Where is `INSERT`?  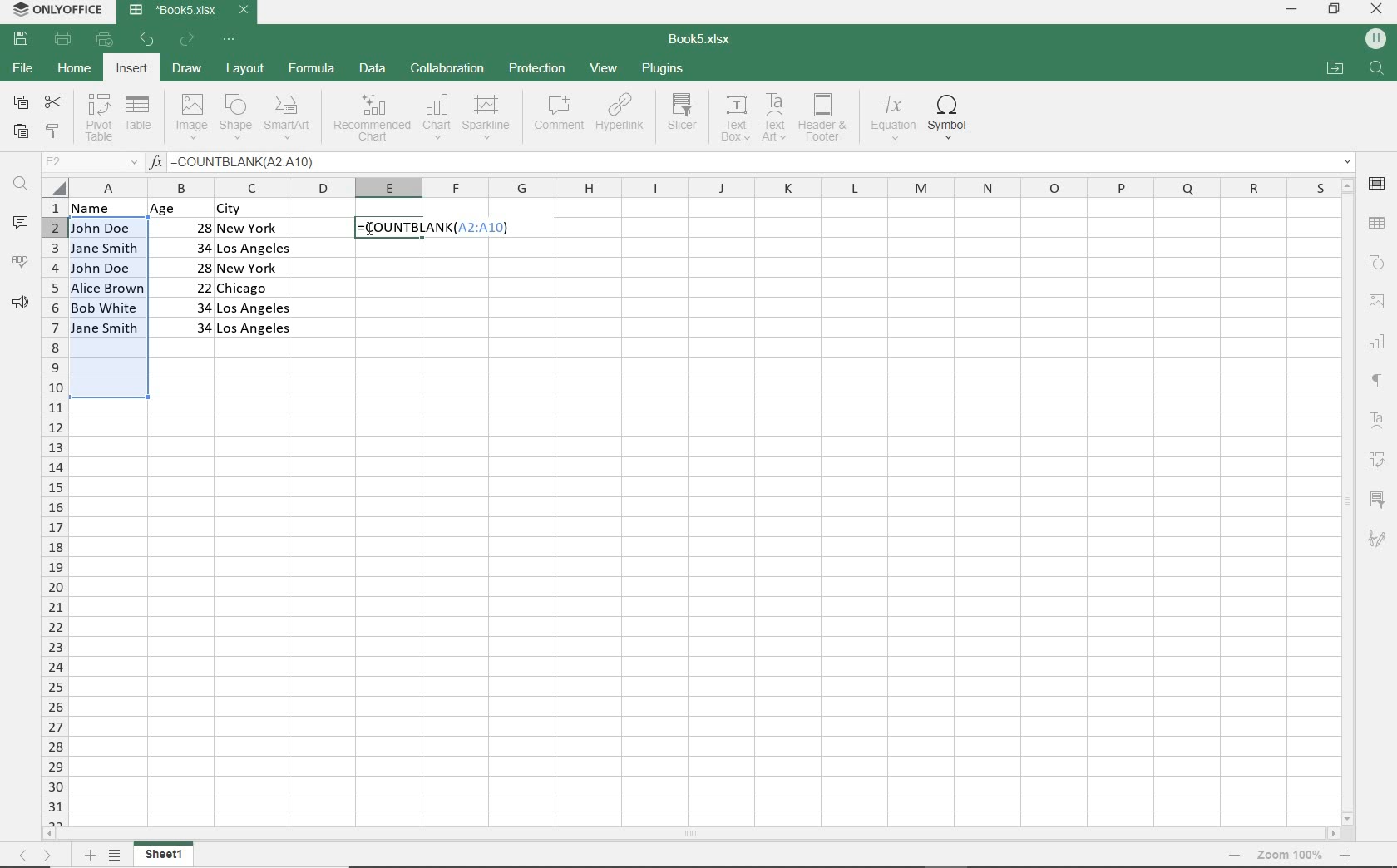 INSERT is located at coordinates (131, 68).